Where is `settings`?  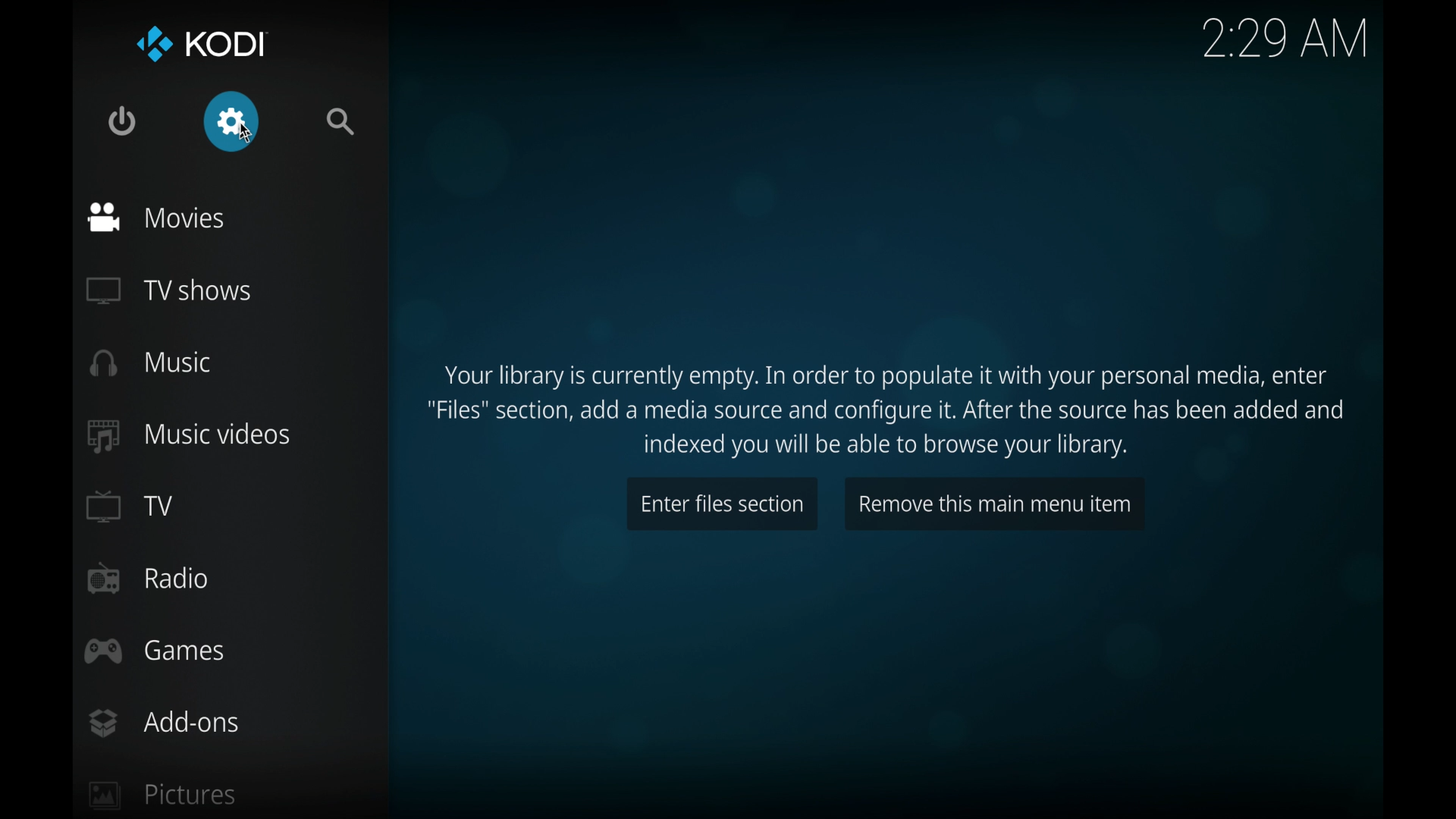 settings is located at coordinates (232, 121).